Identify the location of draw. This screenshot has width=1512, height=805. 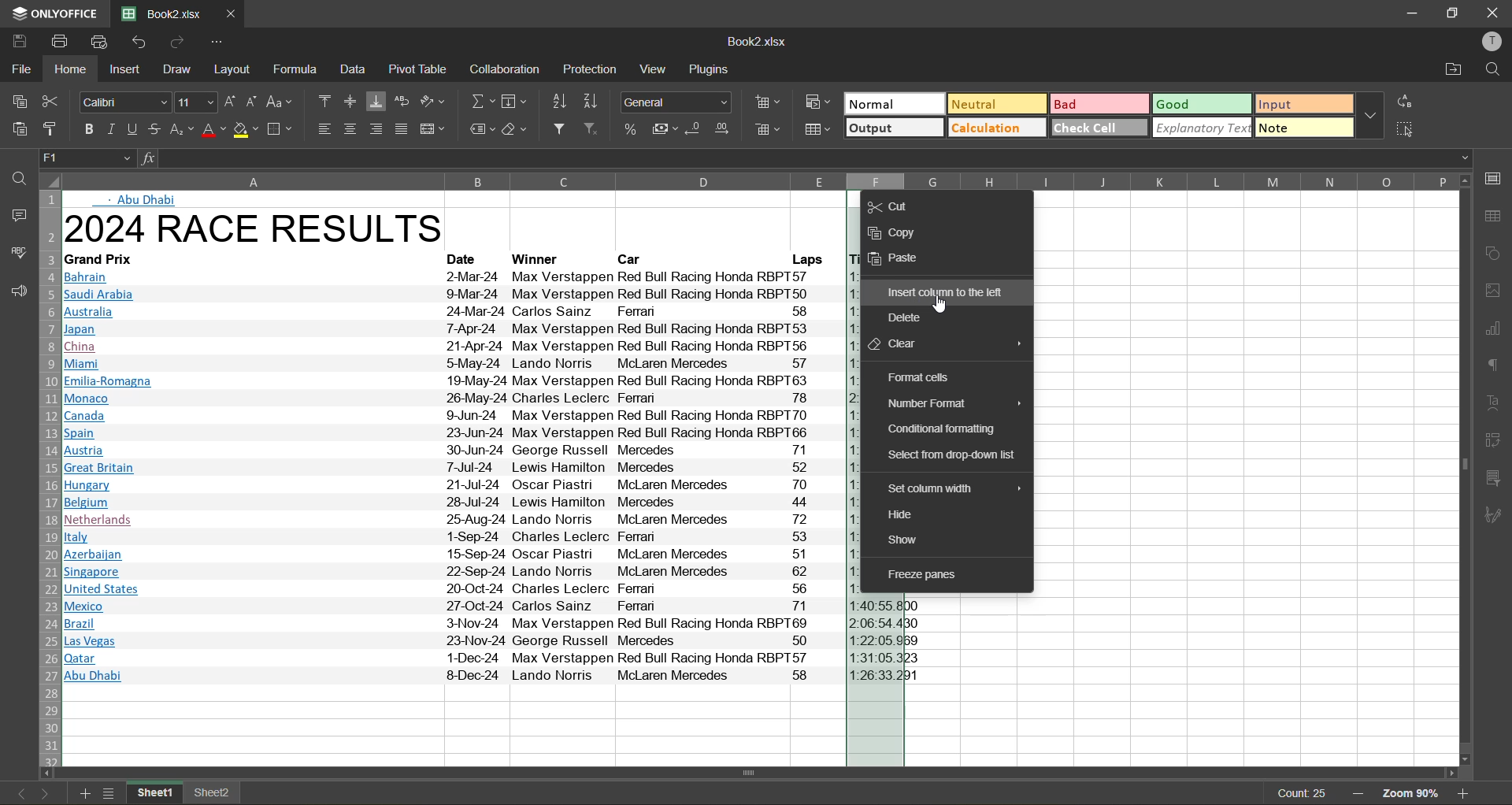
(175, 69).